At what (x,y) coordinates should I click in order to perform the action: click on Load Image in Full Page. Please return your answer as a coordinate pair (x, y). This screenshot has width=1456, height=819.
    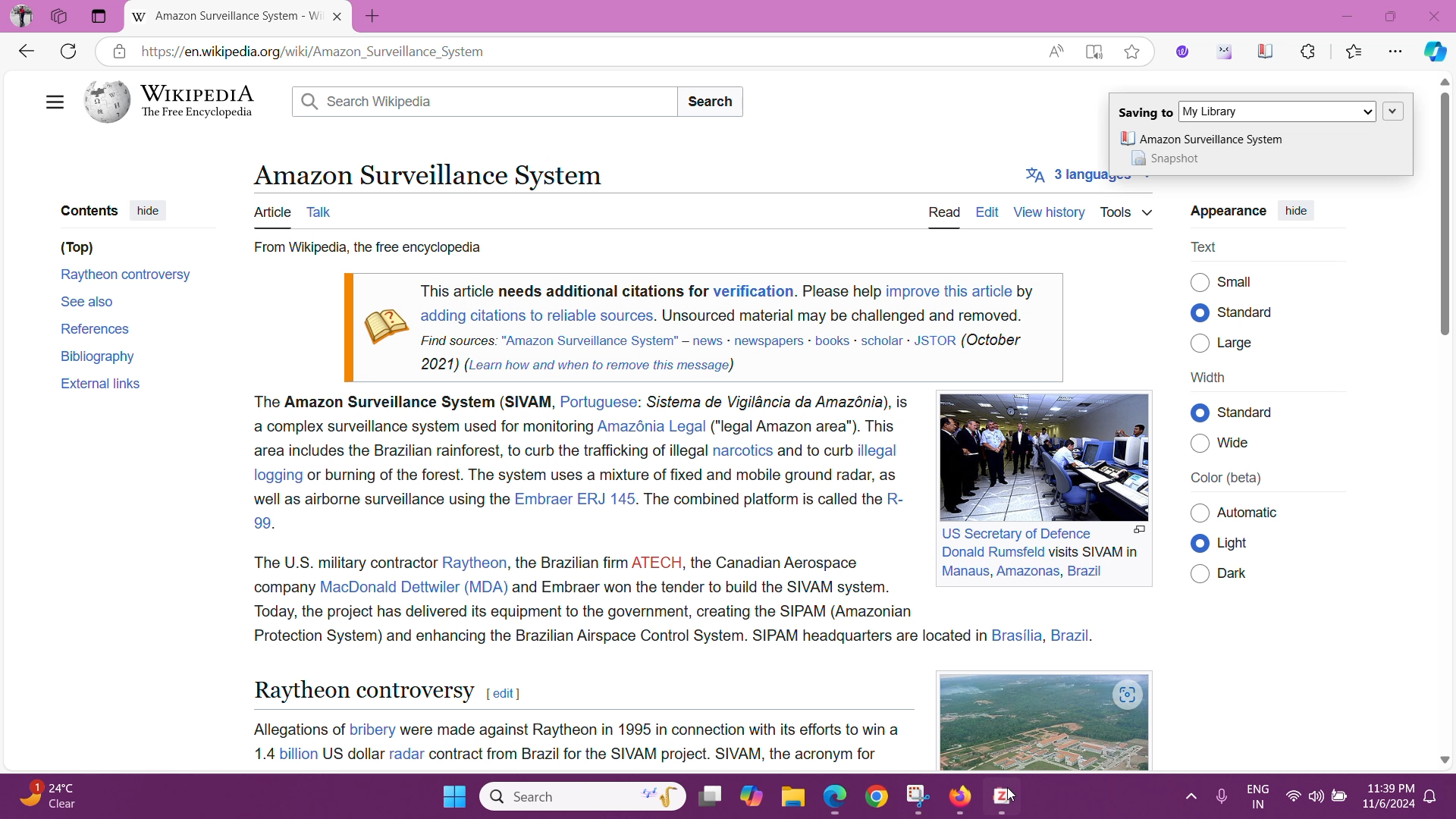
    Looking at the image, I should click on (1139, 531).